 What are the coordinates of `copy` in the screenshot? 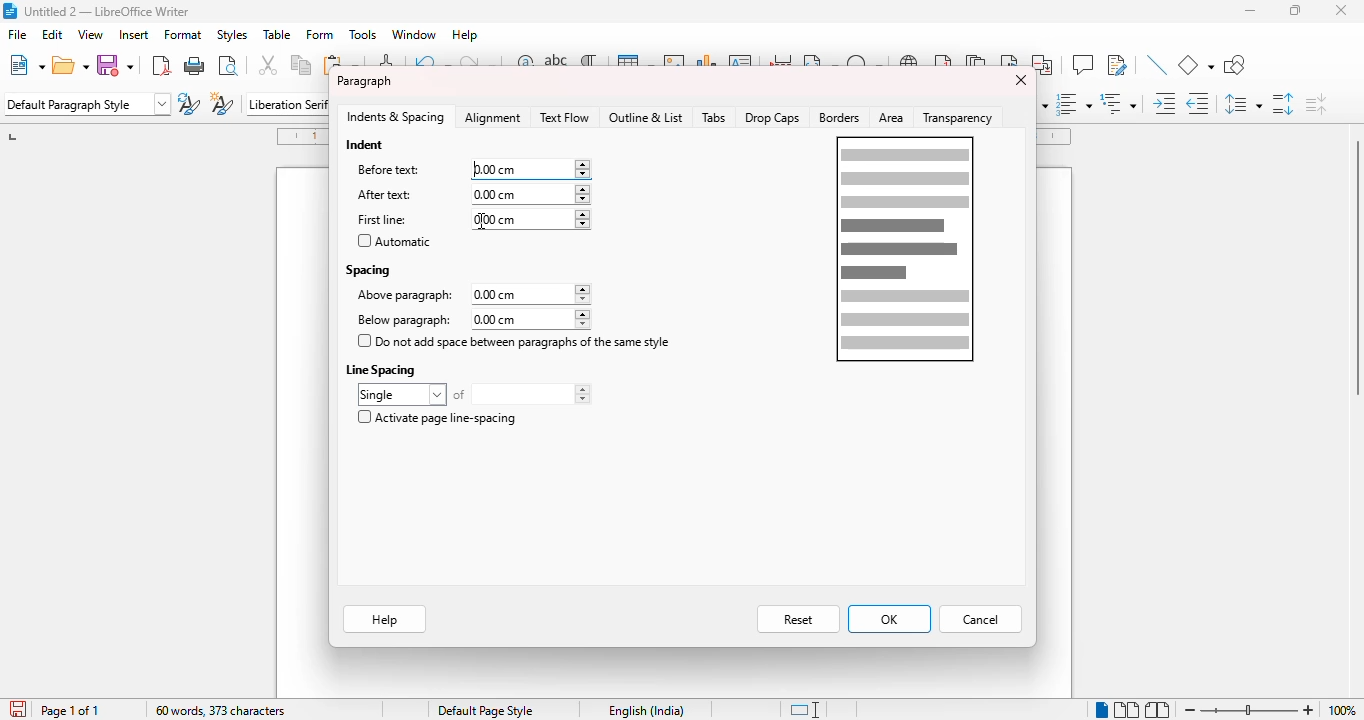 It's located at (302, 65).